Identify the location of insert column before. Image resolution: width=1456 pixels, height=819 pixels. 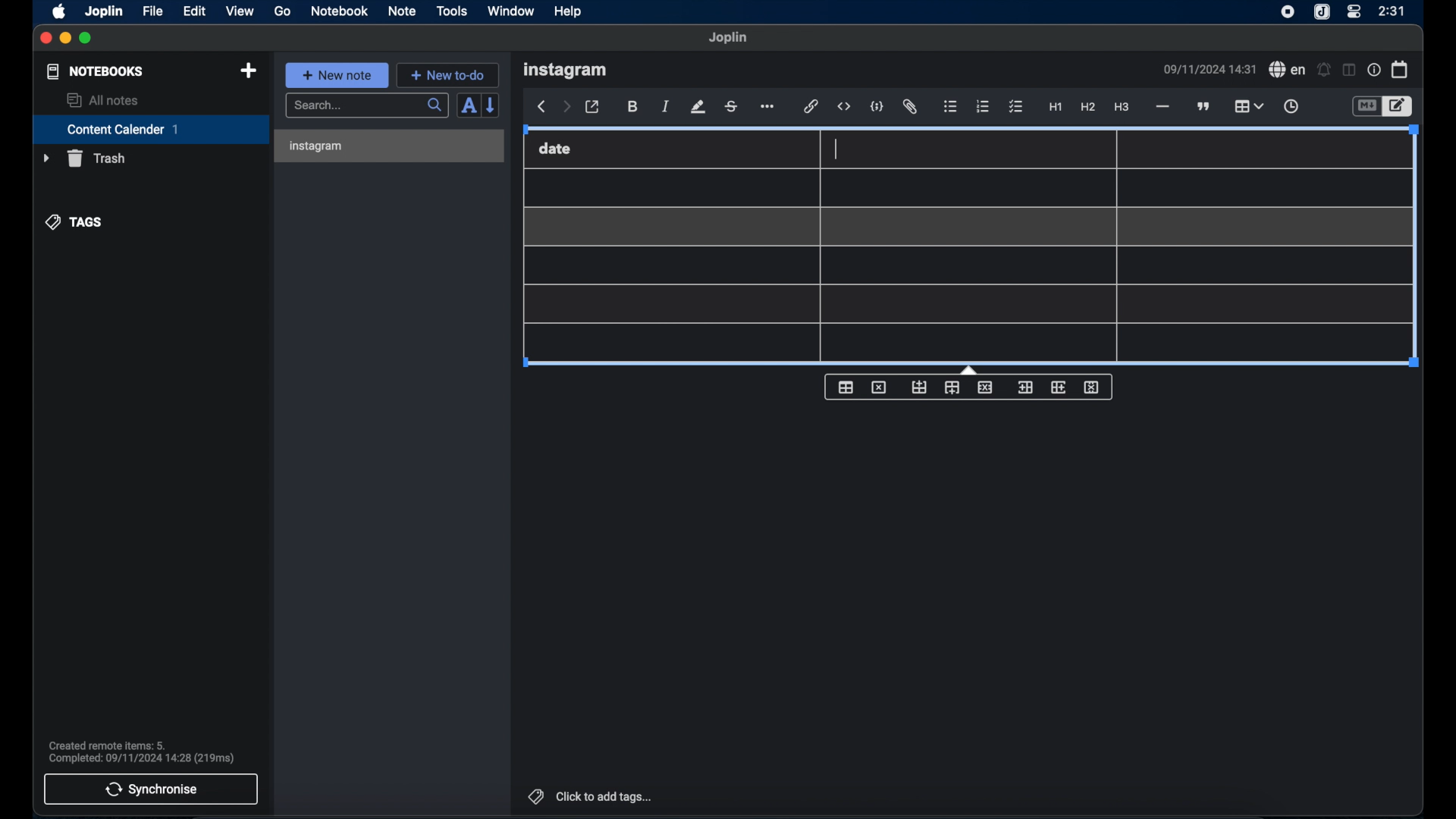
(1025, 388).